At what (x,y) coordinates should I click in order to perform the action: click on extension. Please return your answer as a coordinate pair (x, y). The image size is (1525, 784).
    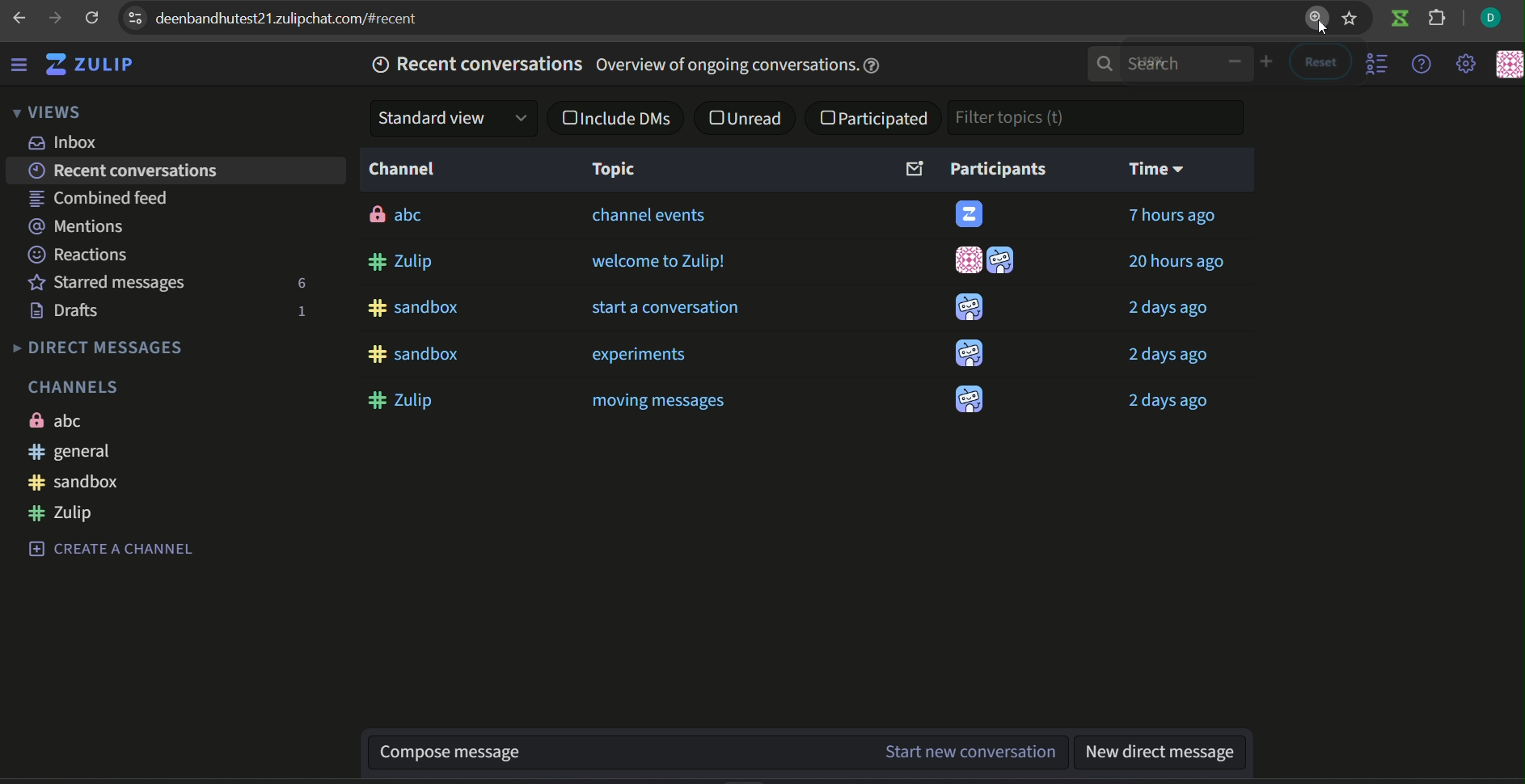
    Looking at the image, I should click on (1438, 20).